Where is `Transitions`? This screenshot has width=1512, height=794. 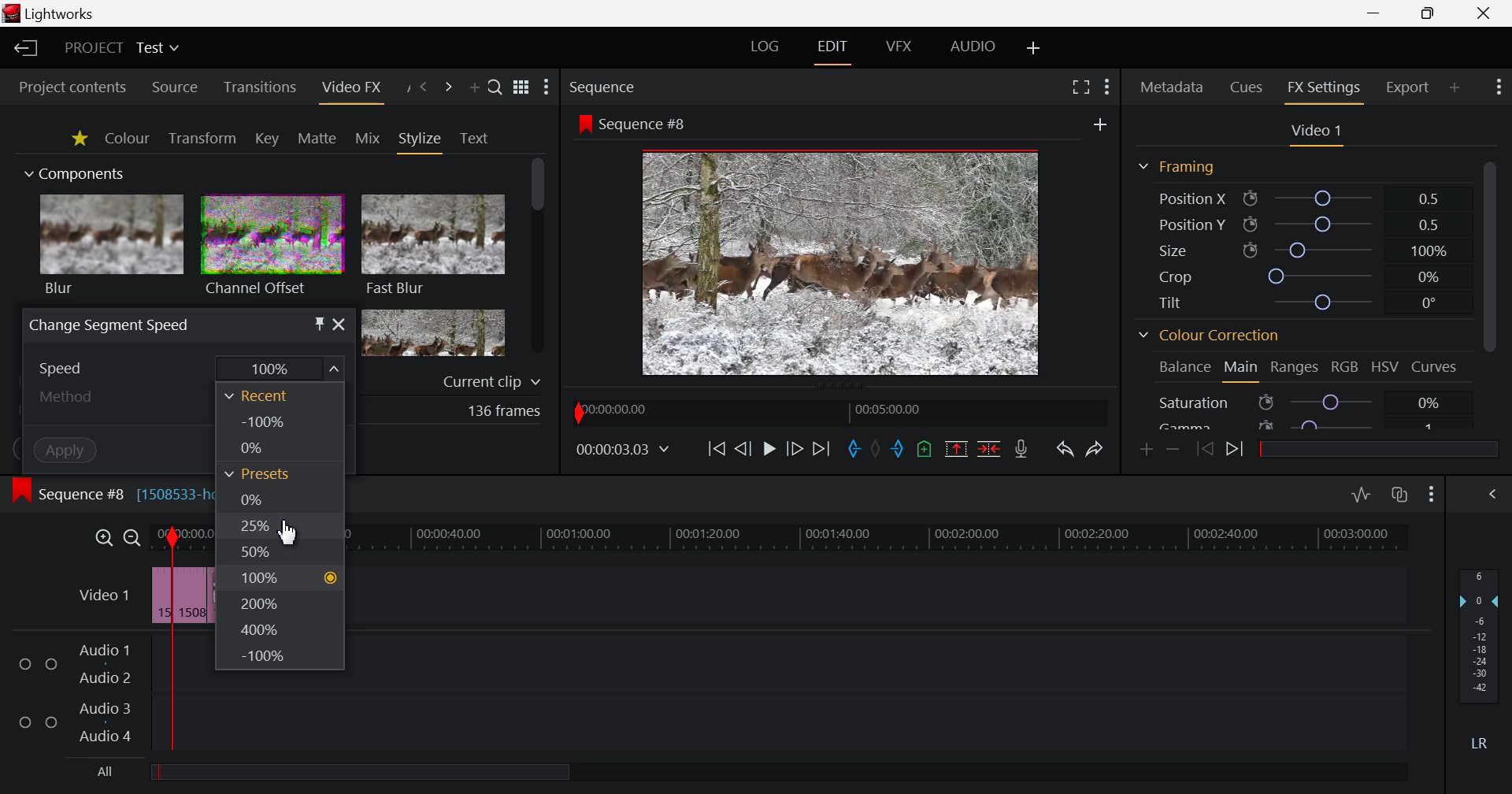 Transitions is located at coordinates (259, 88).